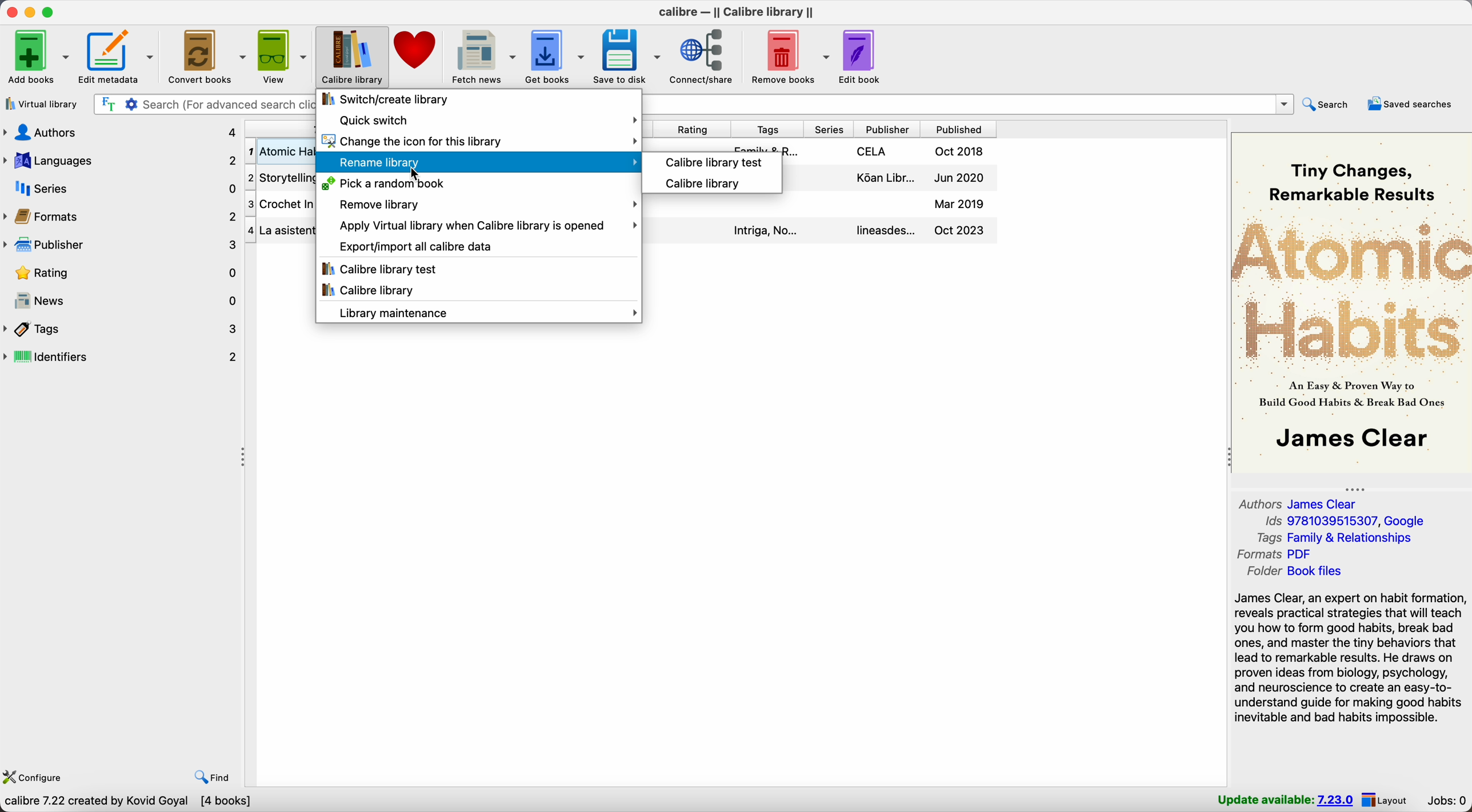 This screenshot has height=812, width=1472. What do you see at coordinates (10, 13) in the screenshot?
I see `close Calibre` at bounding box center [10, 13].